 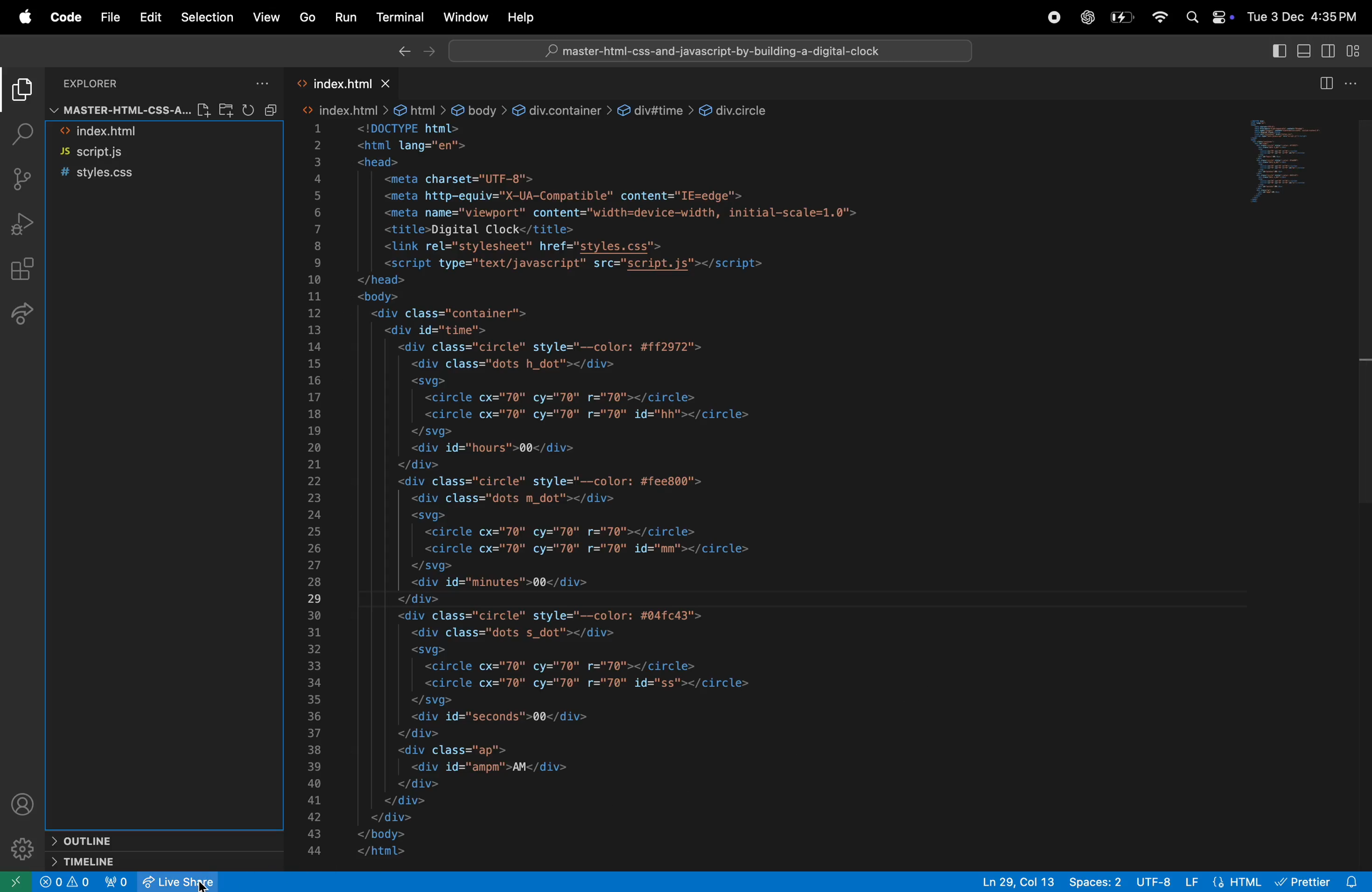 What do you see at coordinates (206, 882) in the screenshot?
I see `cursor` at bounding box center [206, 882].